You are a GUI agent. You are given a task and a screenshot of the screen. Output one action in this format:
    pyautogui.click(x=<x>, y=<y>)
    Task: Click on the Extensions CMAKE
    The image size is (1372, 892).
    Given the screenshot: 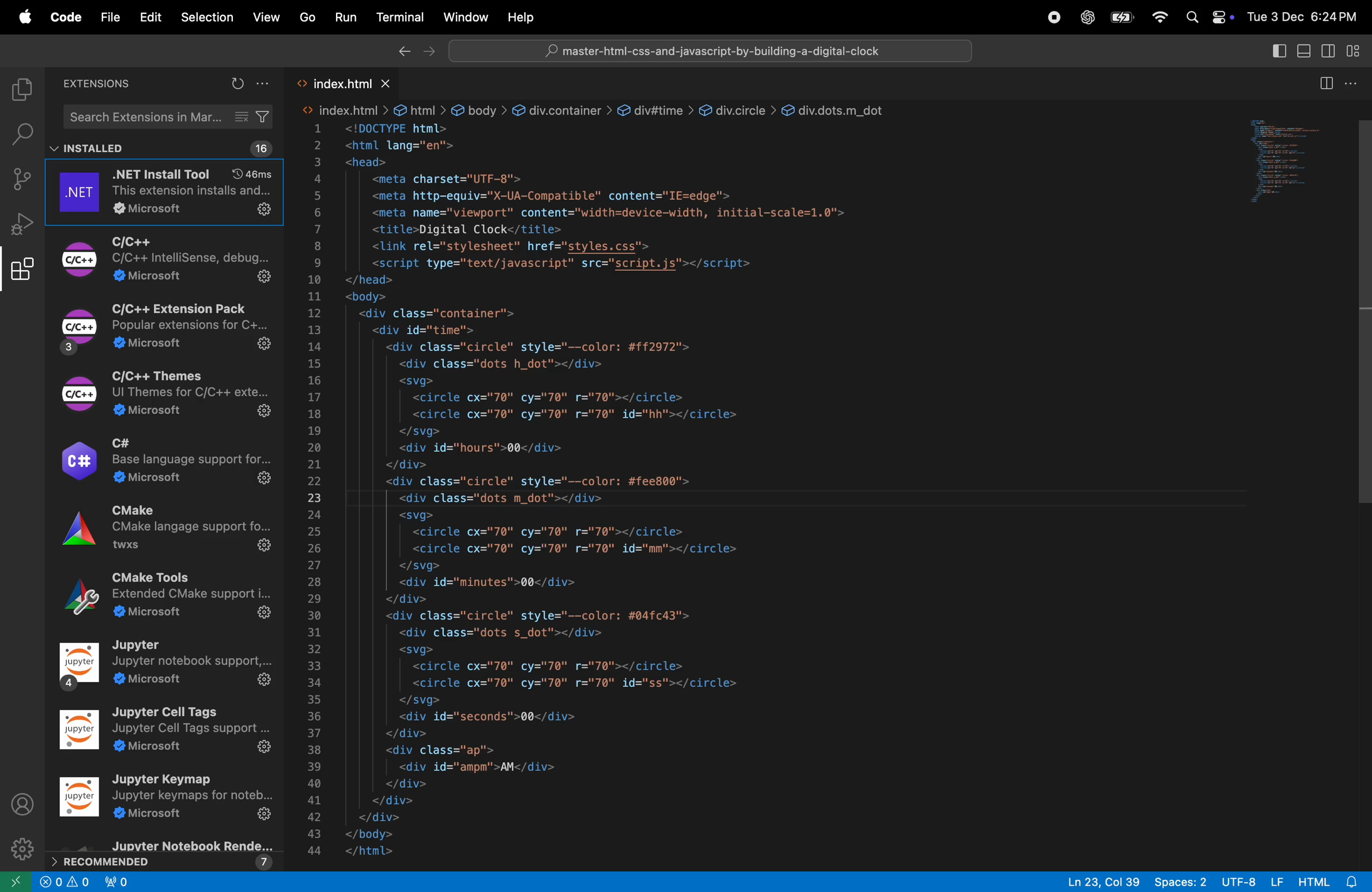 What is the action you would take?
    pyautogui.click(x=165, y=533)
    